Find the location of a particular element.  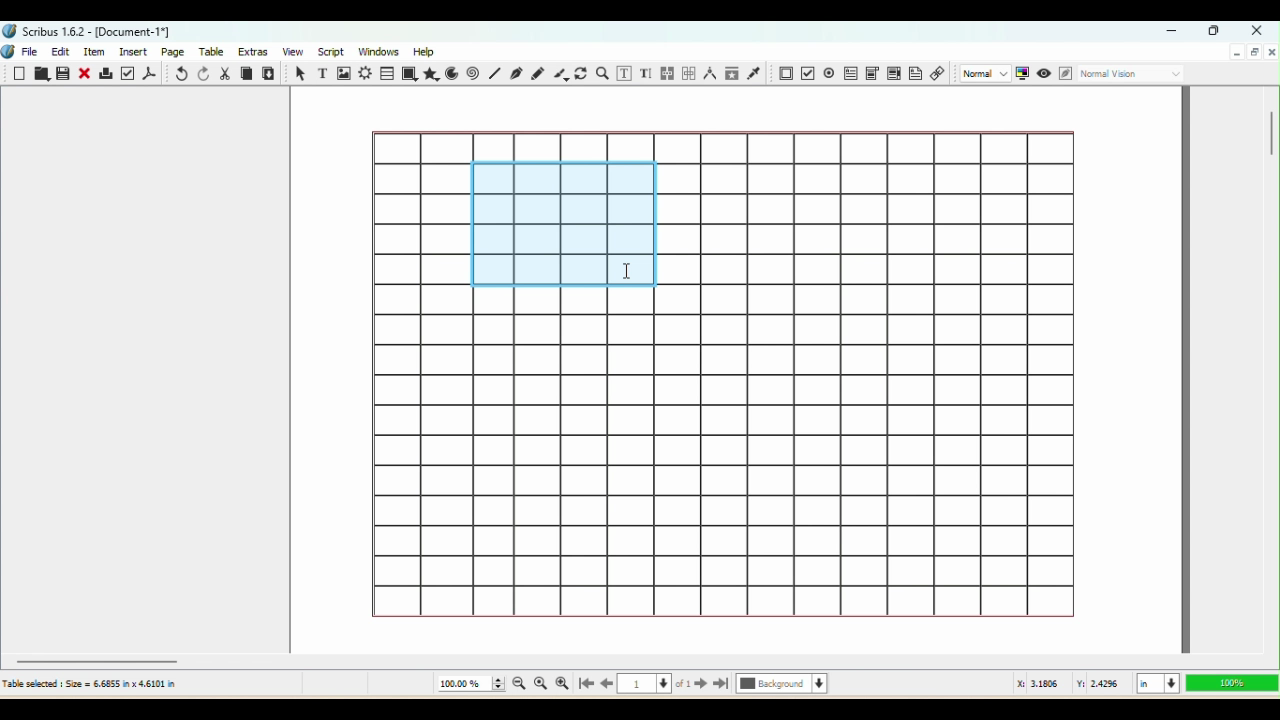

Table selected Size 6.6855 in x 4.6101 in is located at coordinates (90, 683).